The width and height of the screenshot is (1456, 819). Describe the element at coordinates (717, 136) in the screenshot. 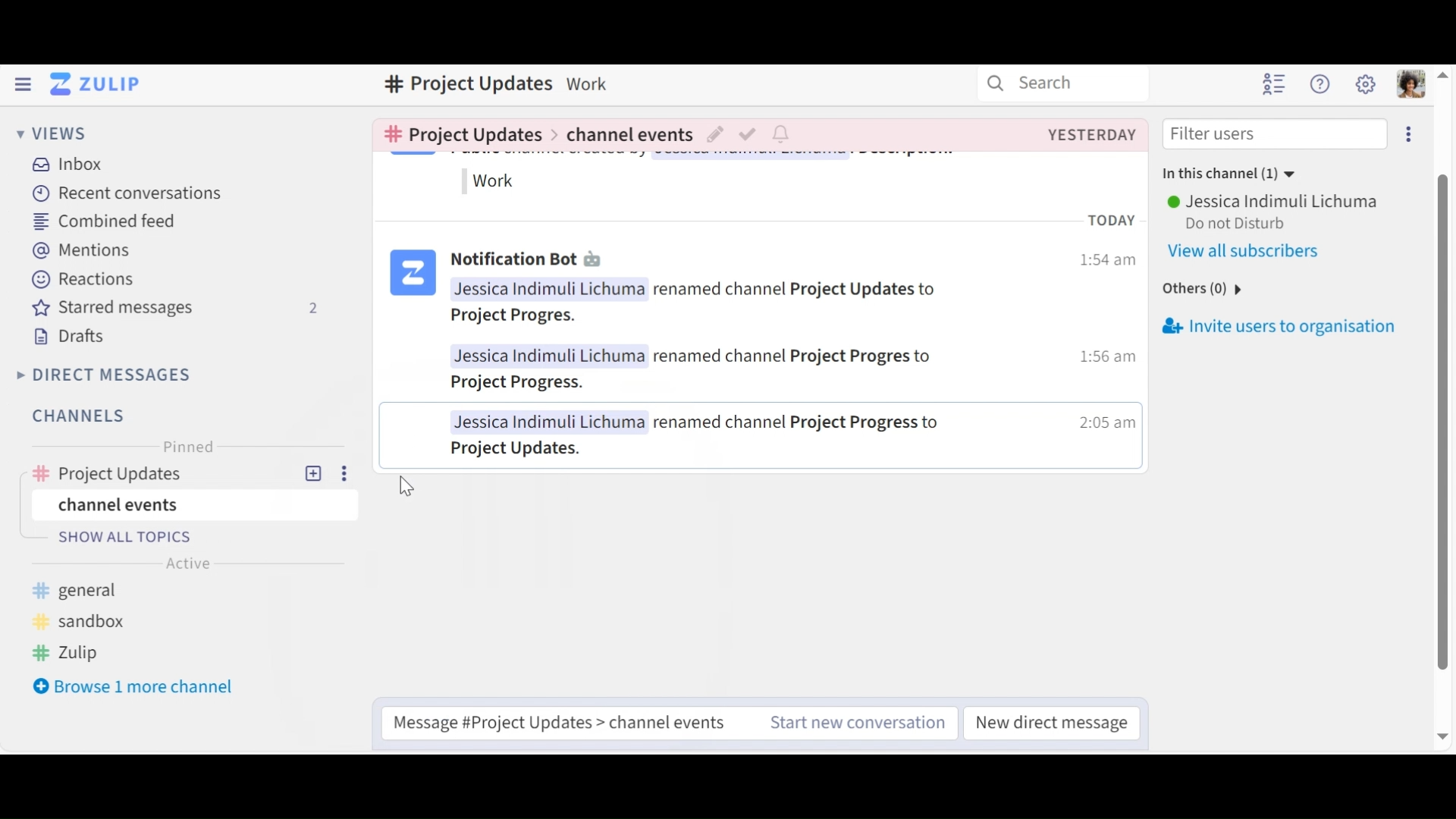

I see `Edit topic` at that location.